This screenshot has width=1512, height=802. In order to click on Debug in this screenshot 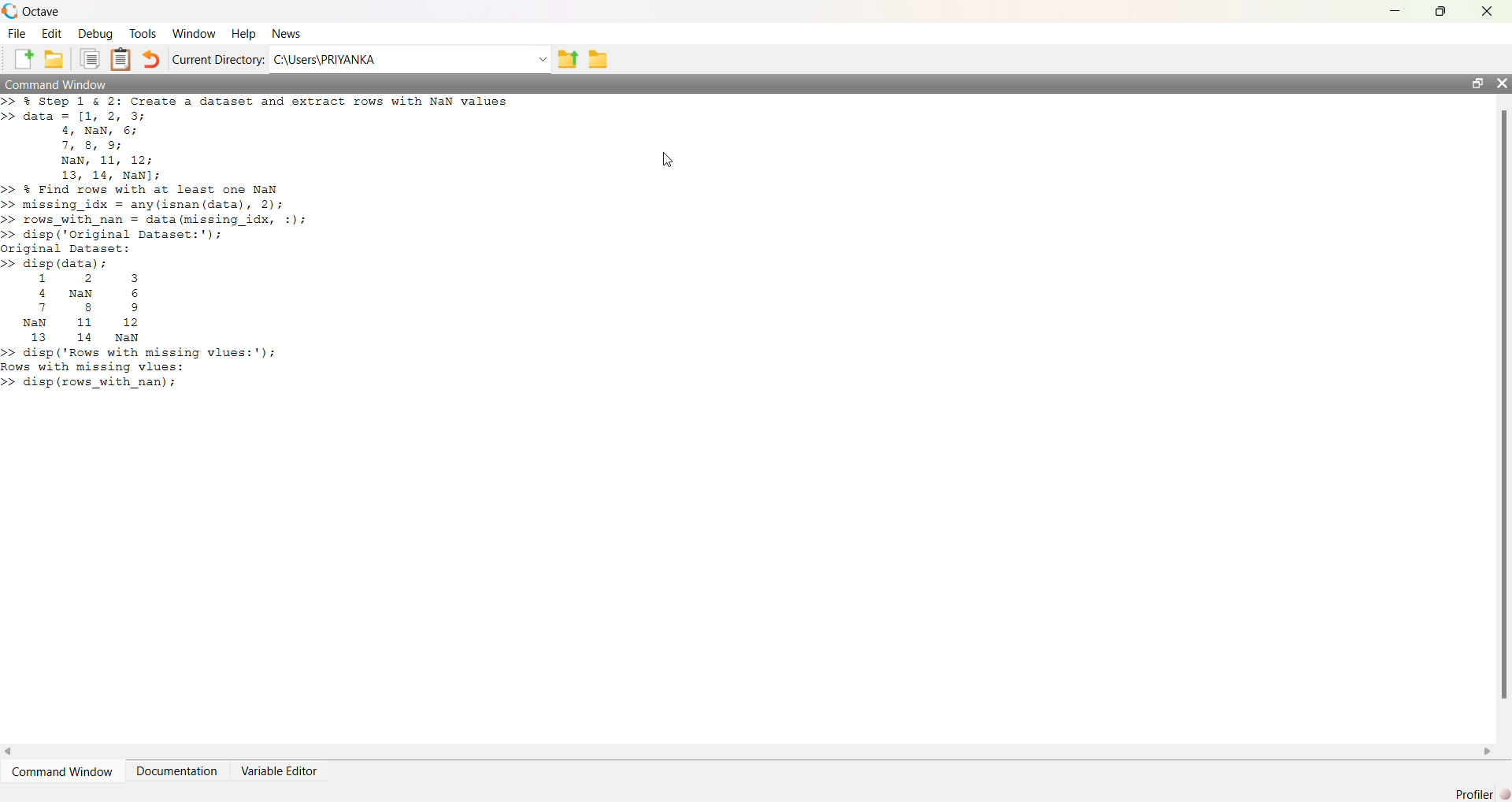, I will do `click(95, 34)`.